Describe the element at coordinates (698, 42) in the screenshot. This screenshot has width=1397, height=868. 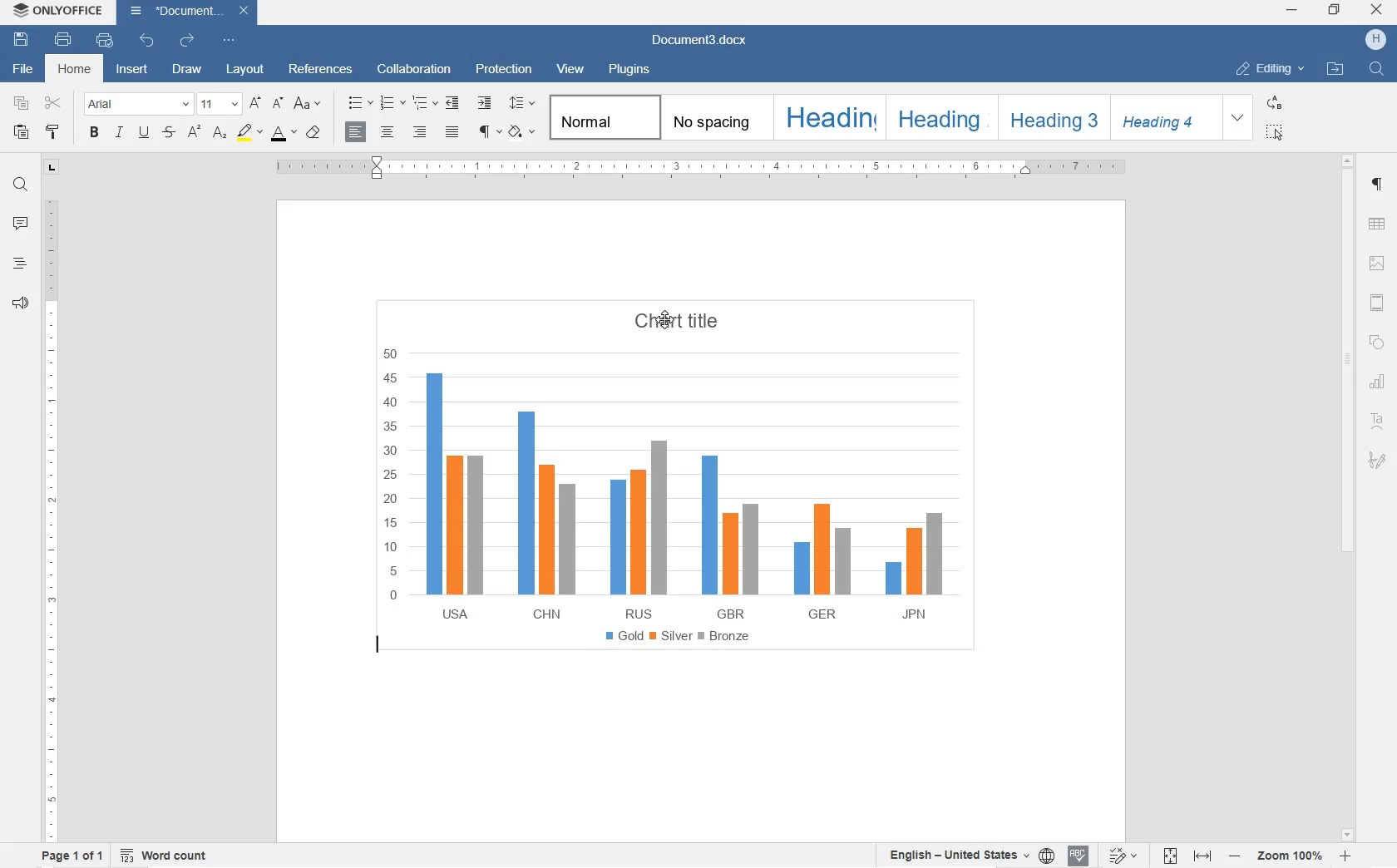
I see `Document3.docx` at that location.